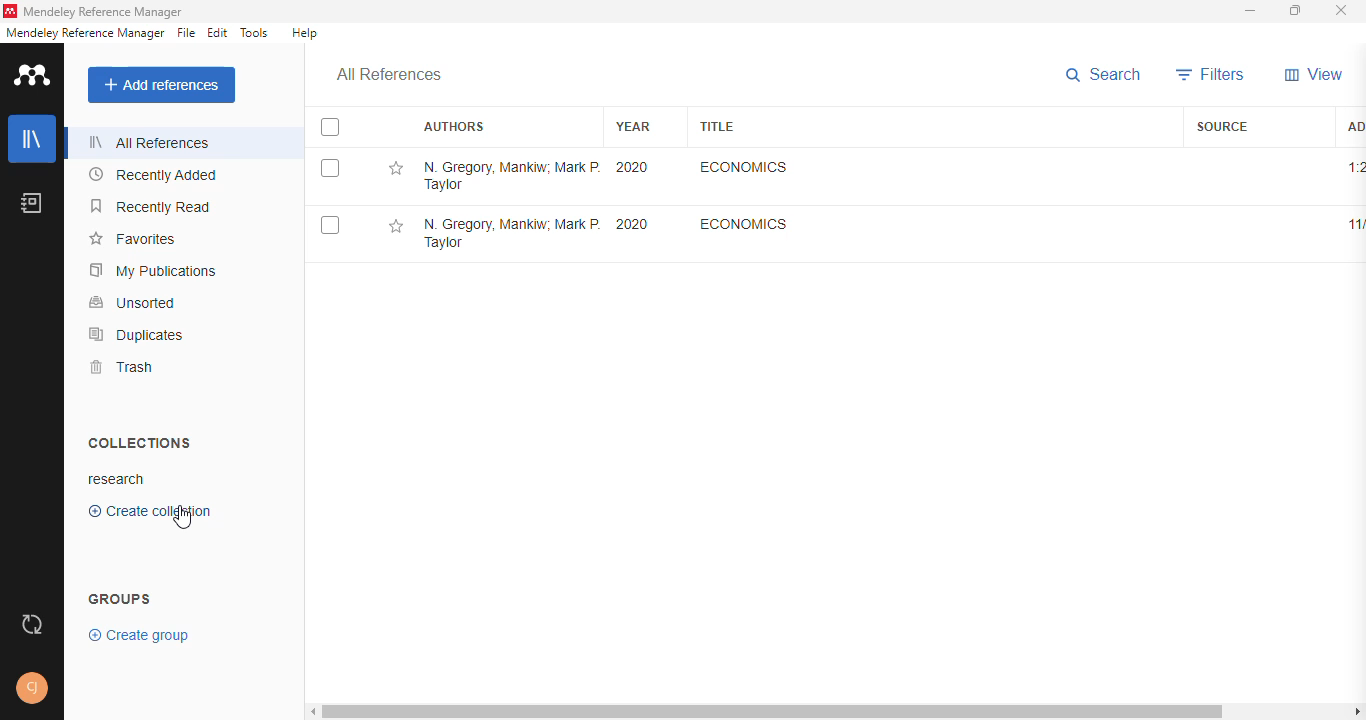 The width and height of the screenshot is (1366, 720). I want to click on recently added, so click(154, 175).